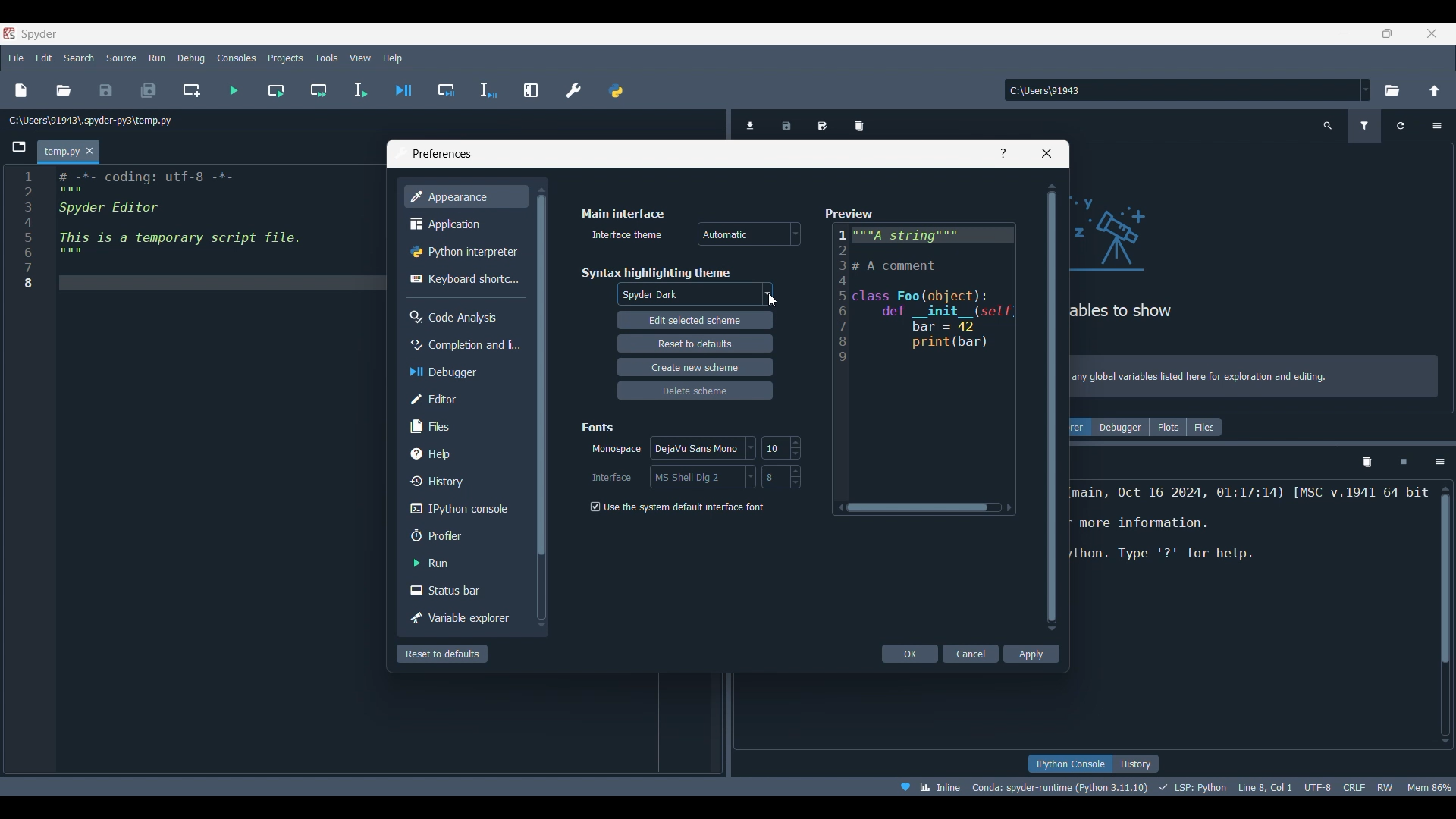 The image size is (1456, 819). What do you see at coordinates (705, 449) in the screenshot?
I see `monospace font options` at bounding box center [705, 449].